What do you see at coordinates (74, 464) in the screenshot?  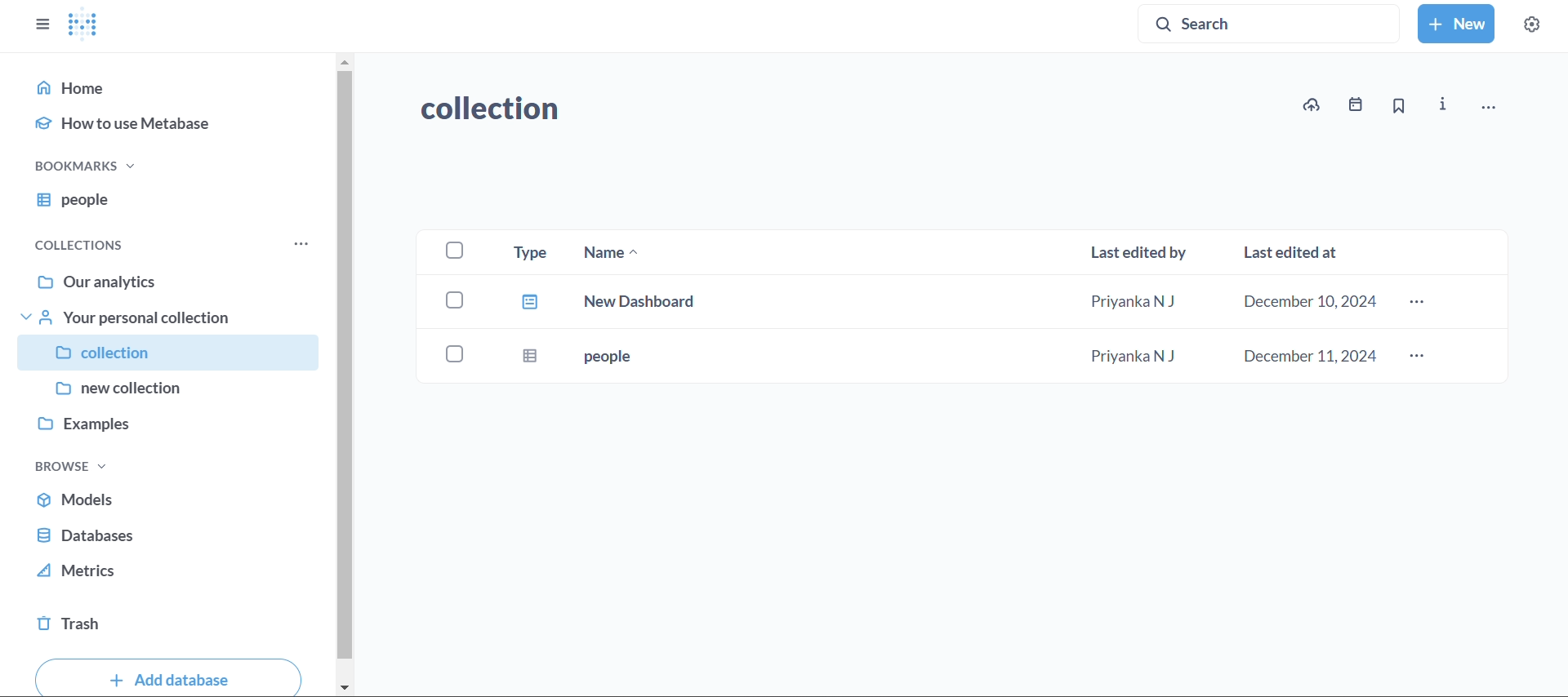 I see `browse` at bounding box center [74, 464].